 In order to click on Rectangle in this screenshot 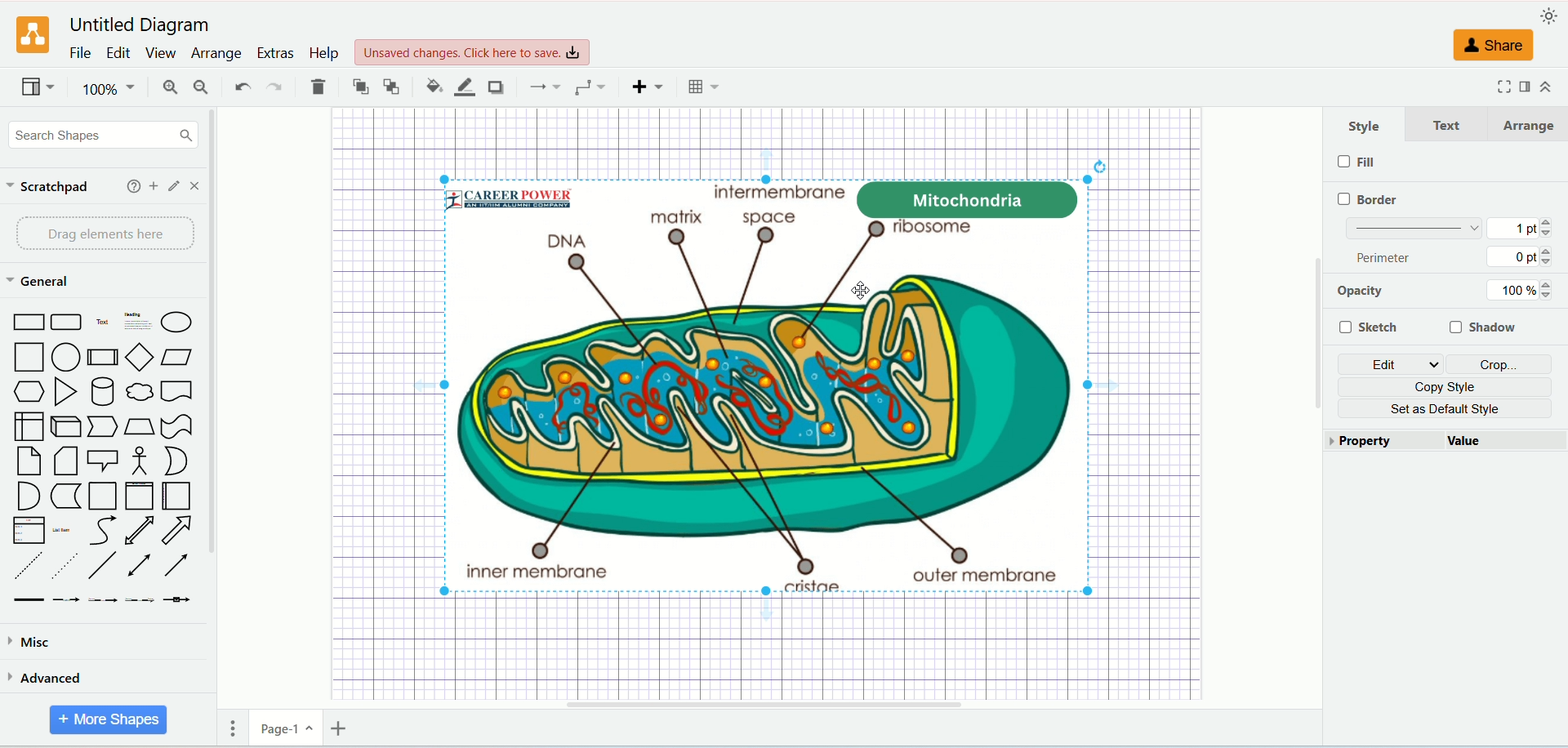, I will do `click(30, 321)`.